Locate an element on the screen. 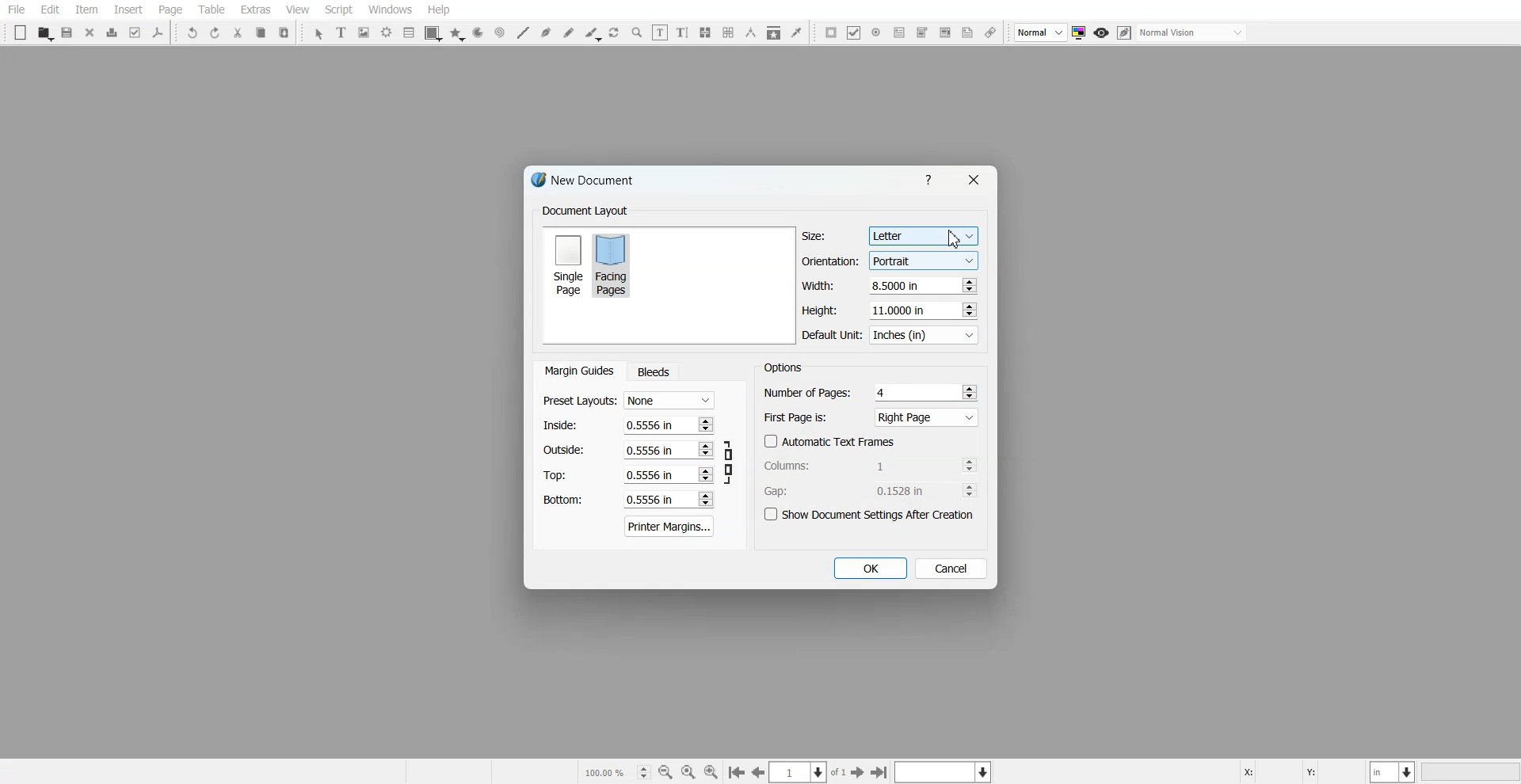 Image resolution: width=1521 pixels, height=784 pixels. Default Unit in Inches is located at coordinates (891, 336).